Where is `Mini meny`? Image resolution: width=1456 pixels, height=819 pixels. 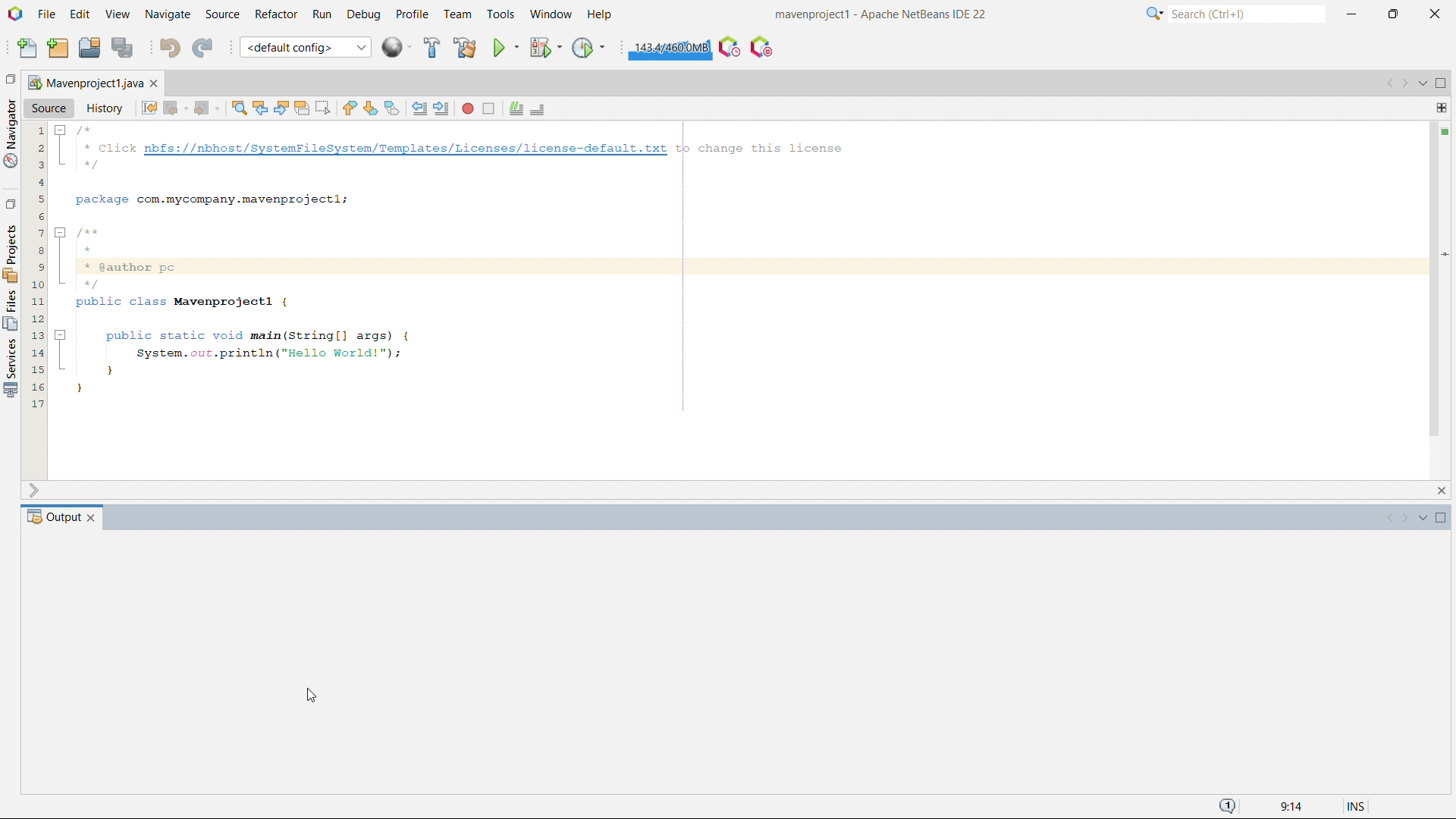 Mini meny is located at coordinates (1442, 108).